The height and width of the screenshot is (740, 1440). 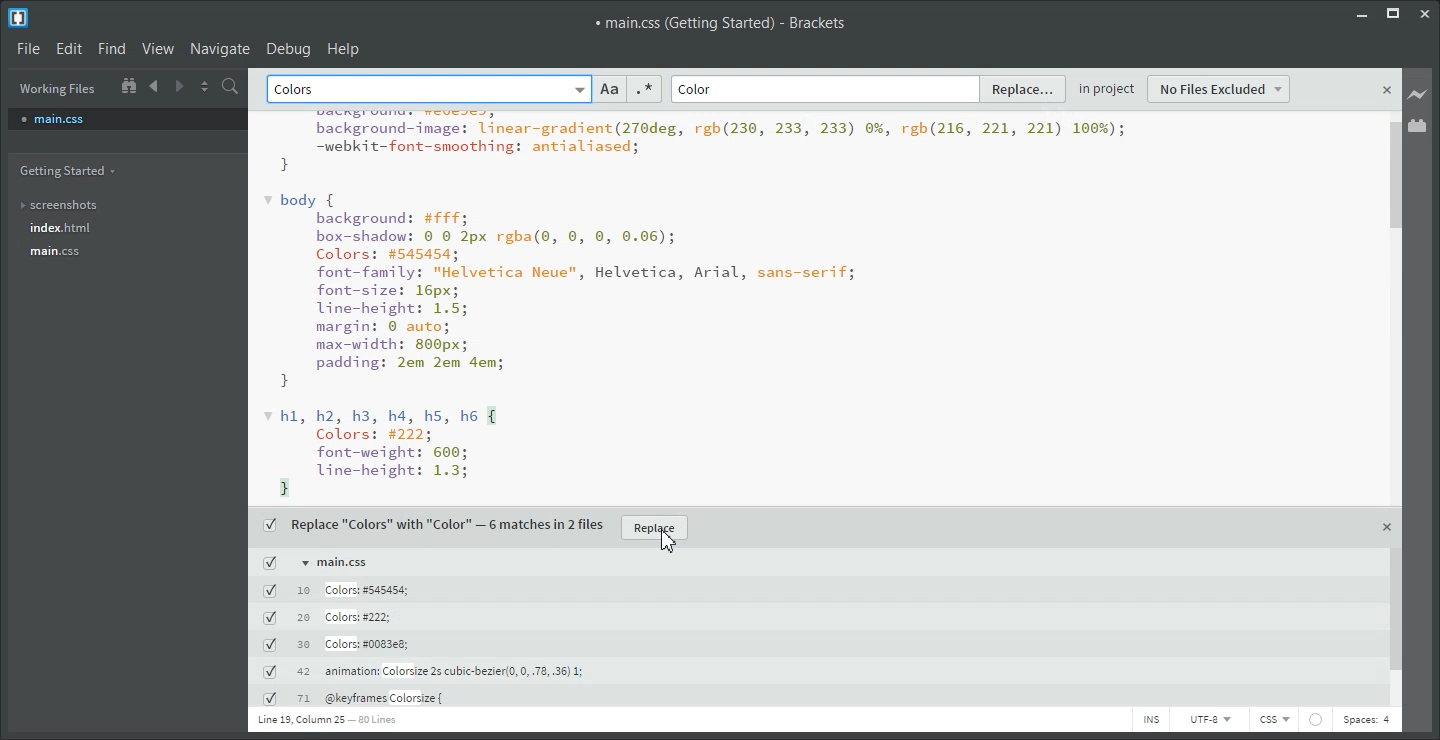 I want to click on CSS, so click(x=1274, y=720).